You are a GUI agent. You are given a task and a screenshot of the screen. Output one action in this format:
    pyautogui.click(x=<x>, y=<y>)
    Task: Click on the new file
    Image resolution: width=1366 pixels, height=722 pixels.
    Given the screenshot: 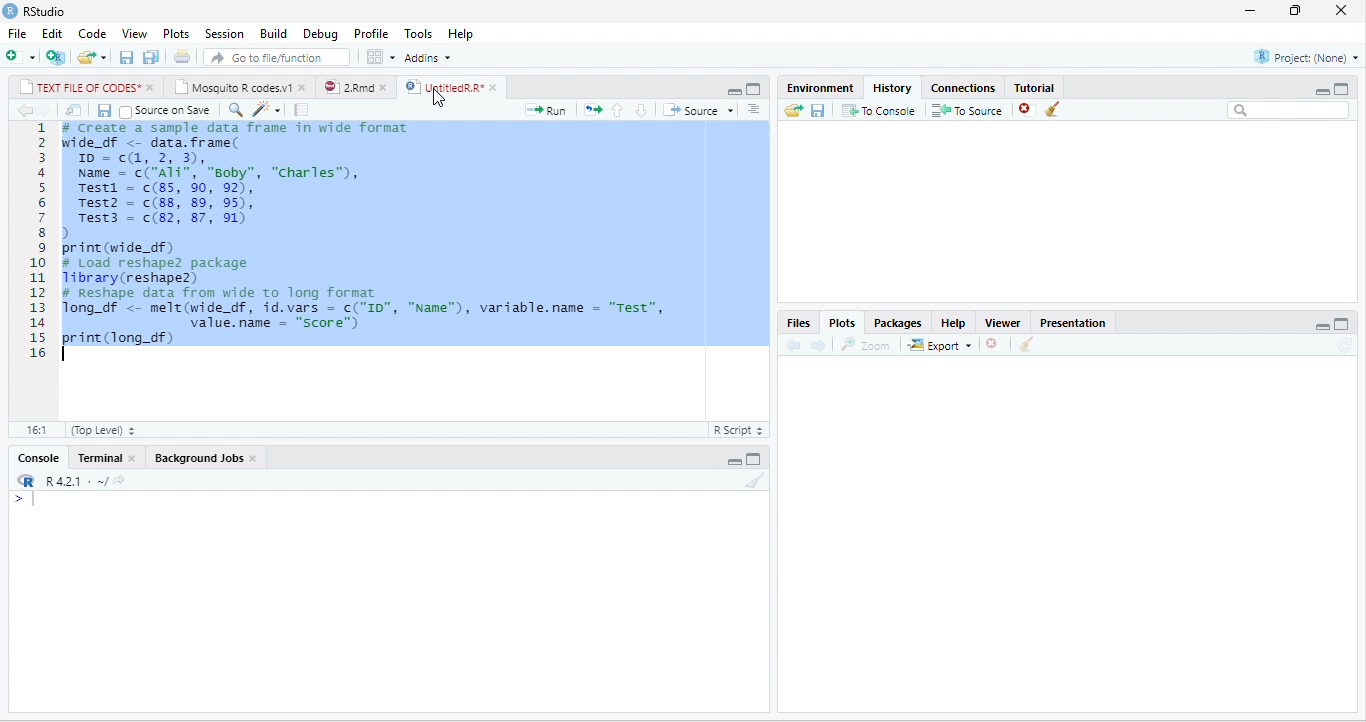 What is the action you would take?
    pyautogui.click(x=20, y=58)
    